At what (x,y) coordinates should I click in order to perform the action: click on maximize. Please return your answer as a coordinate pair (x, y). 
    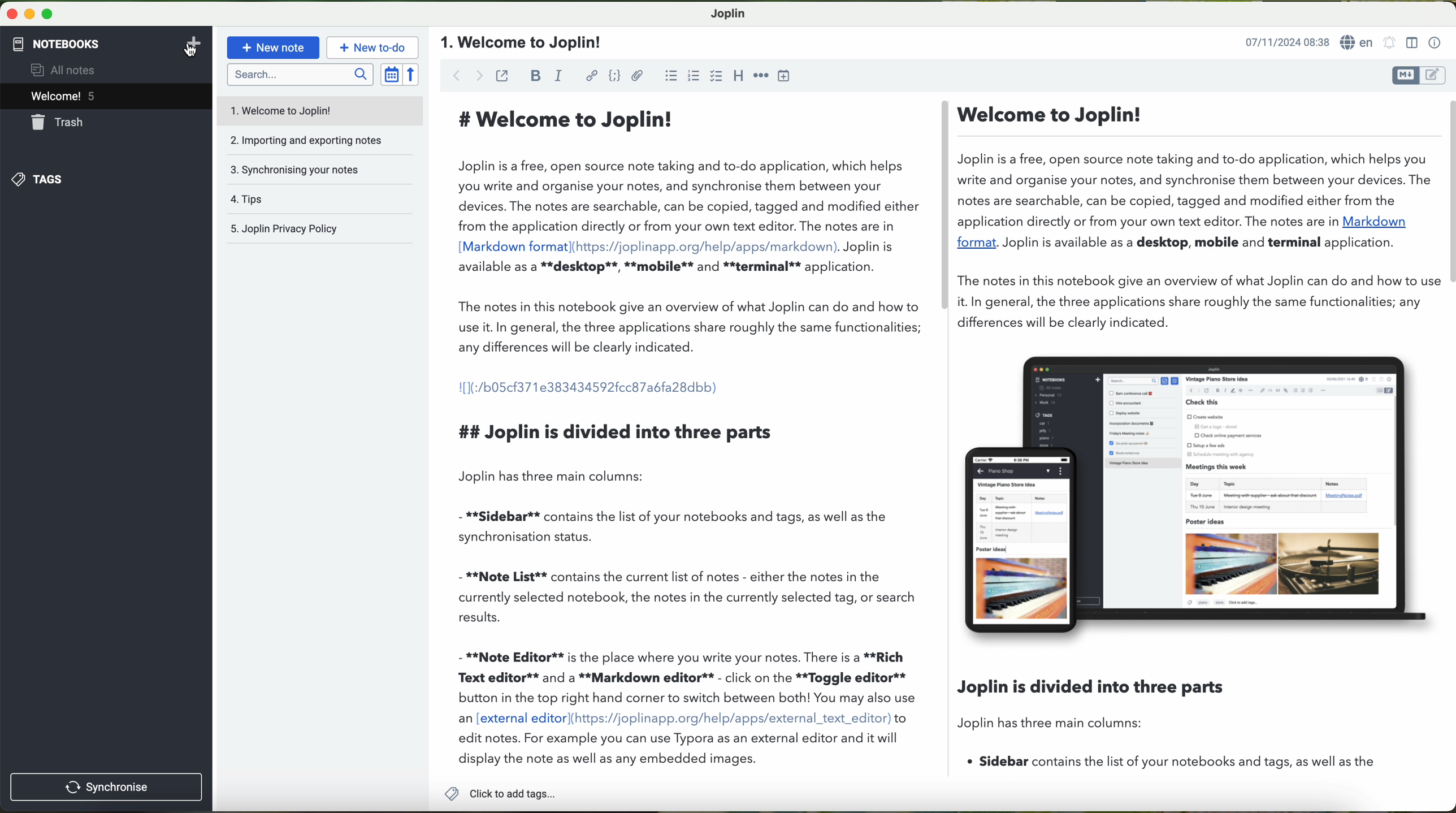
    Looking at the image, I should click on (47, 15).